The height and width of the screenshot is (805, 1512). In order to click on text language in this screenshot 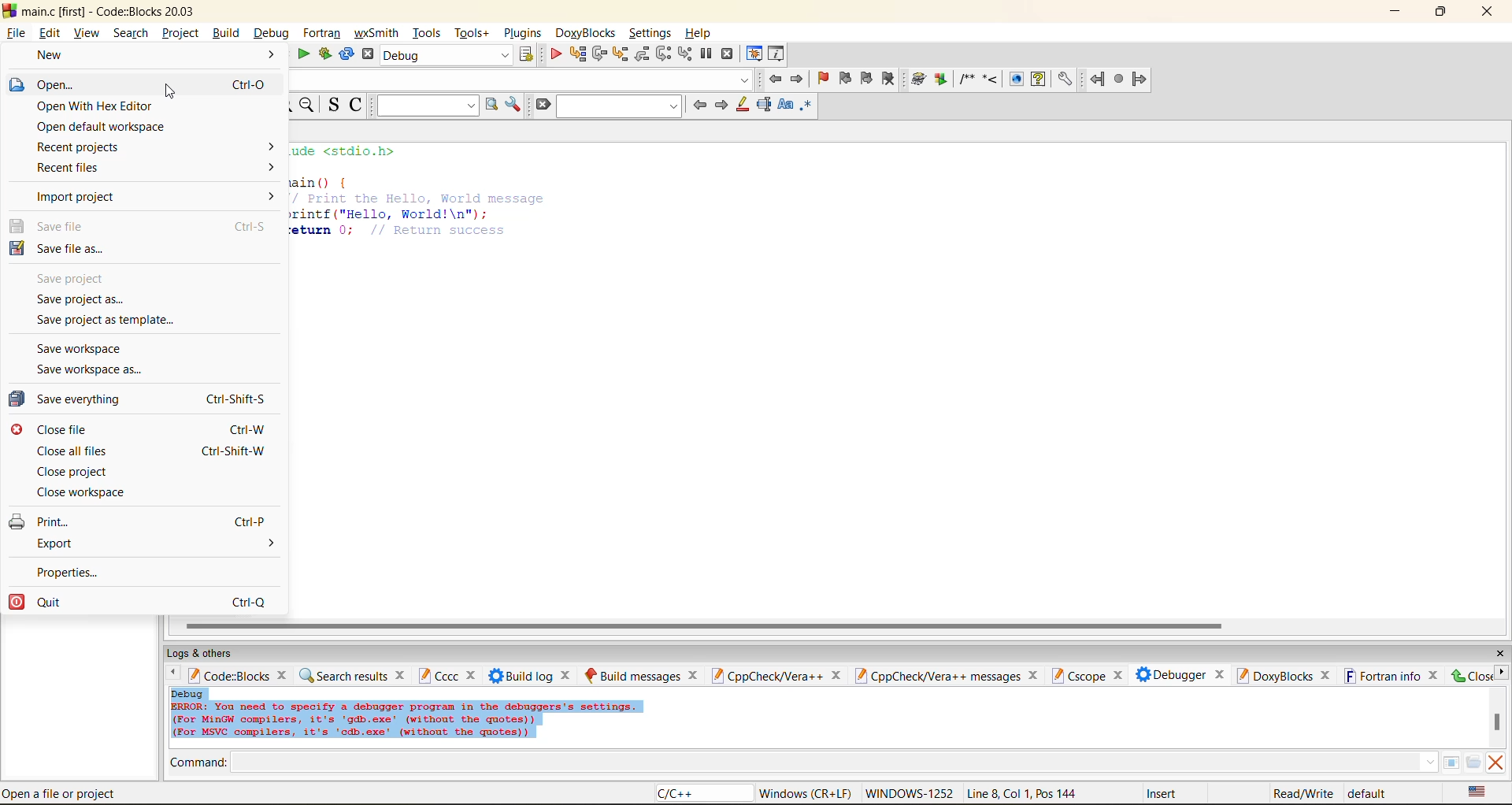, I will do `click(1478, 792)`.